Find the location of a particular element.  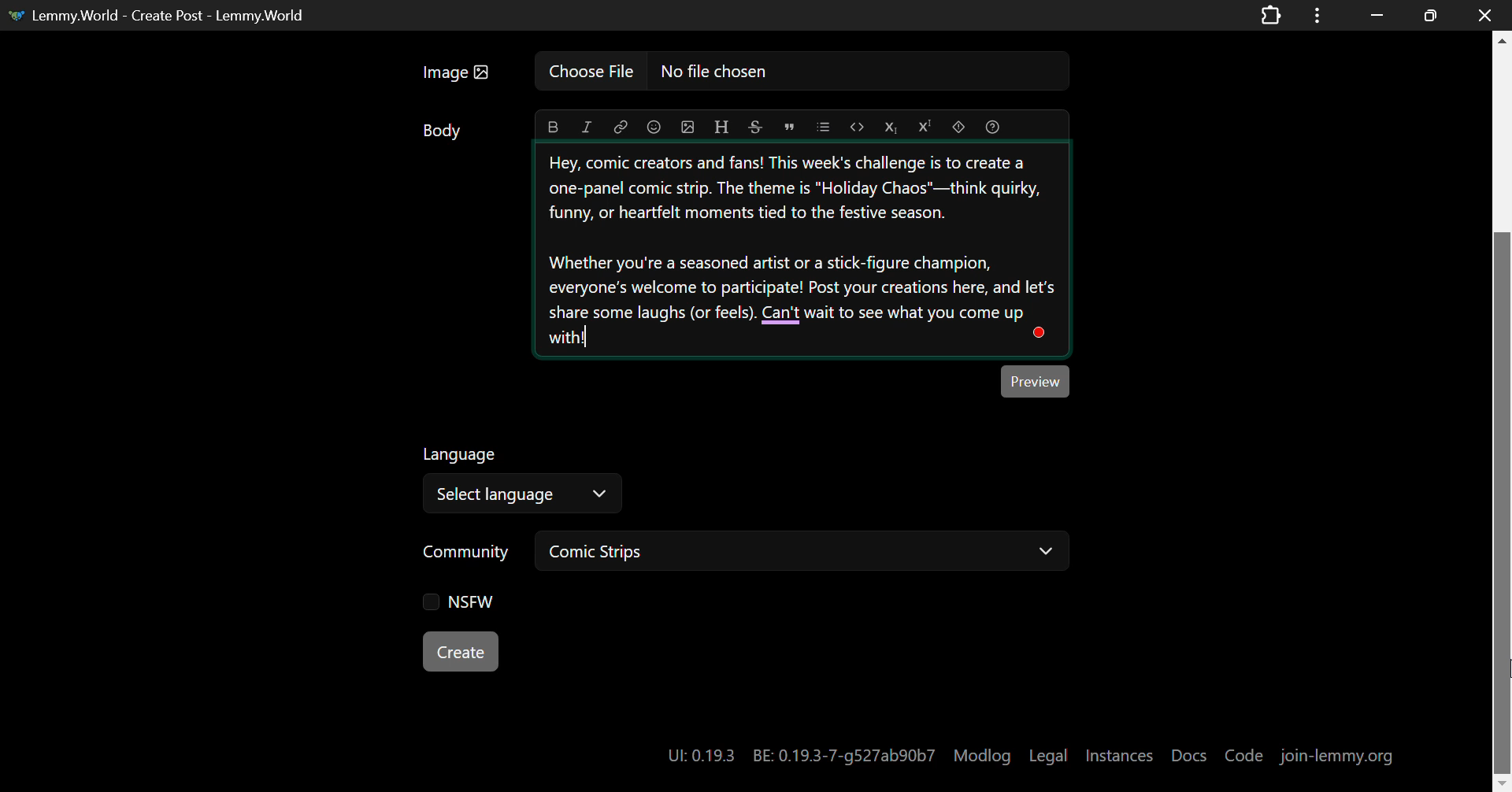

Body is located at coordinates (443, 134).